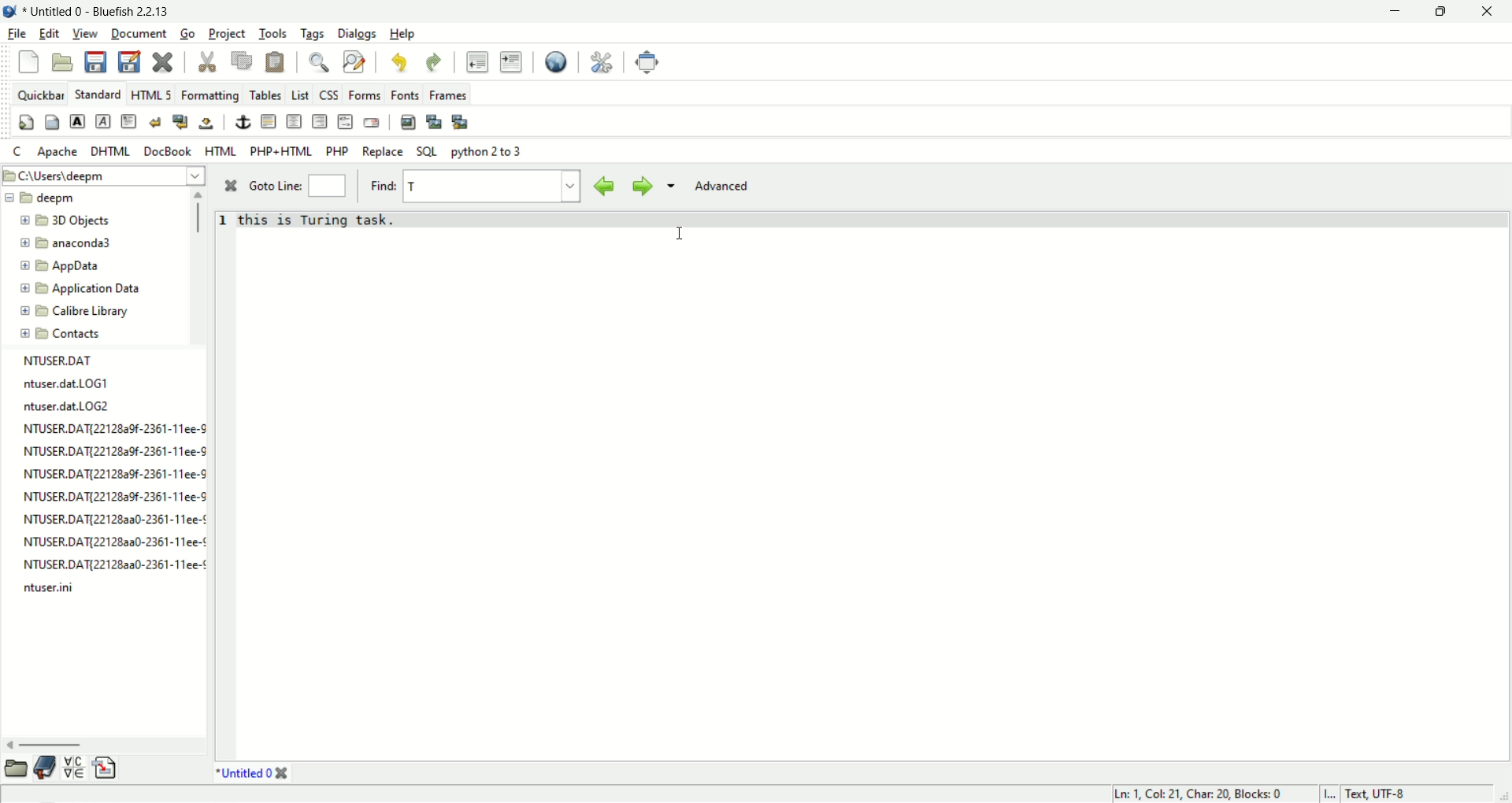  What do you see at coordinates (234, 187) in the screenshot?
I see `close` at bounding box center [234, 187].